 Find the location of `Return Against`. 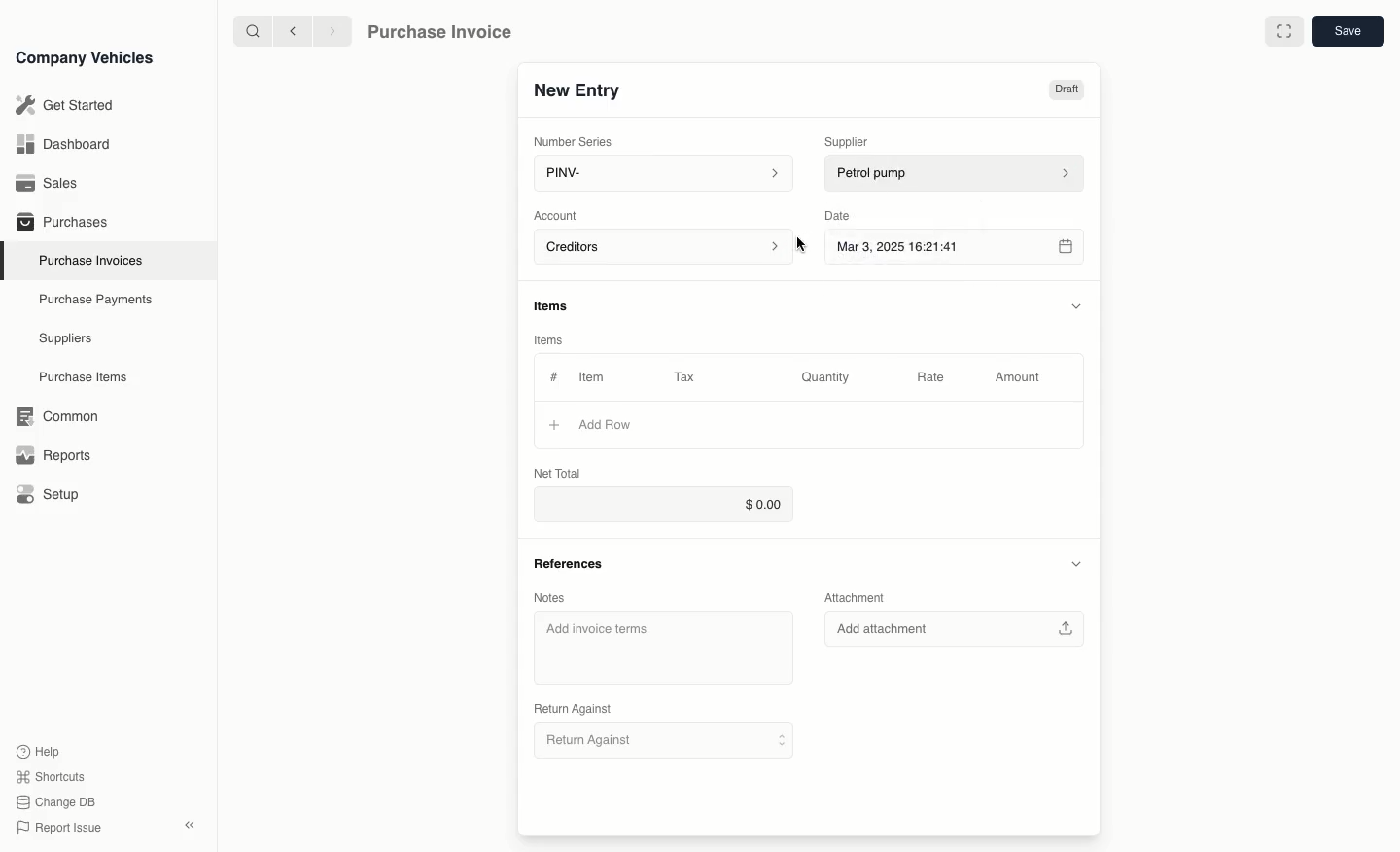

Return Against is located at coordinates (663, 740).